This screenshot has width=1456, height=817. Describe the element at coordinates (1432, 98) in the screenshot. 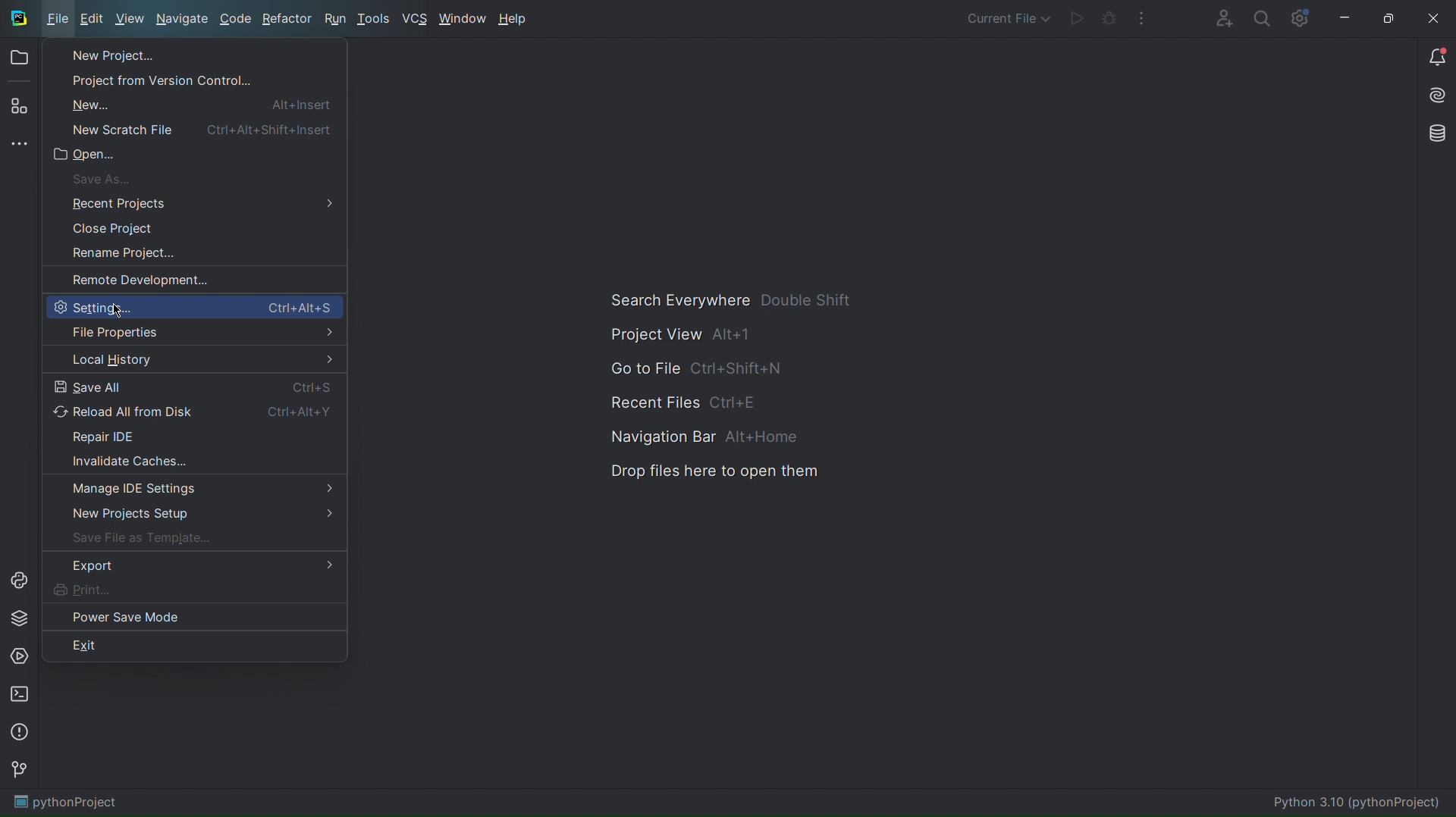

I see `Install AI Assistant` at that location.